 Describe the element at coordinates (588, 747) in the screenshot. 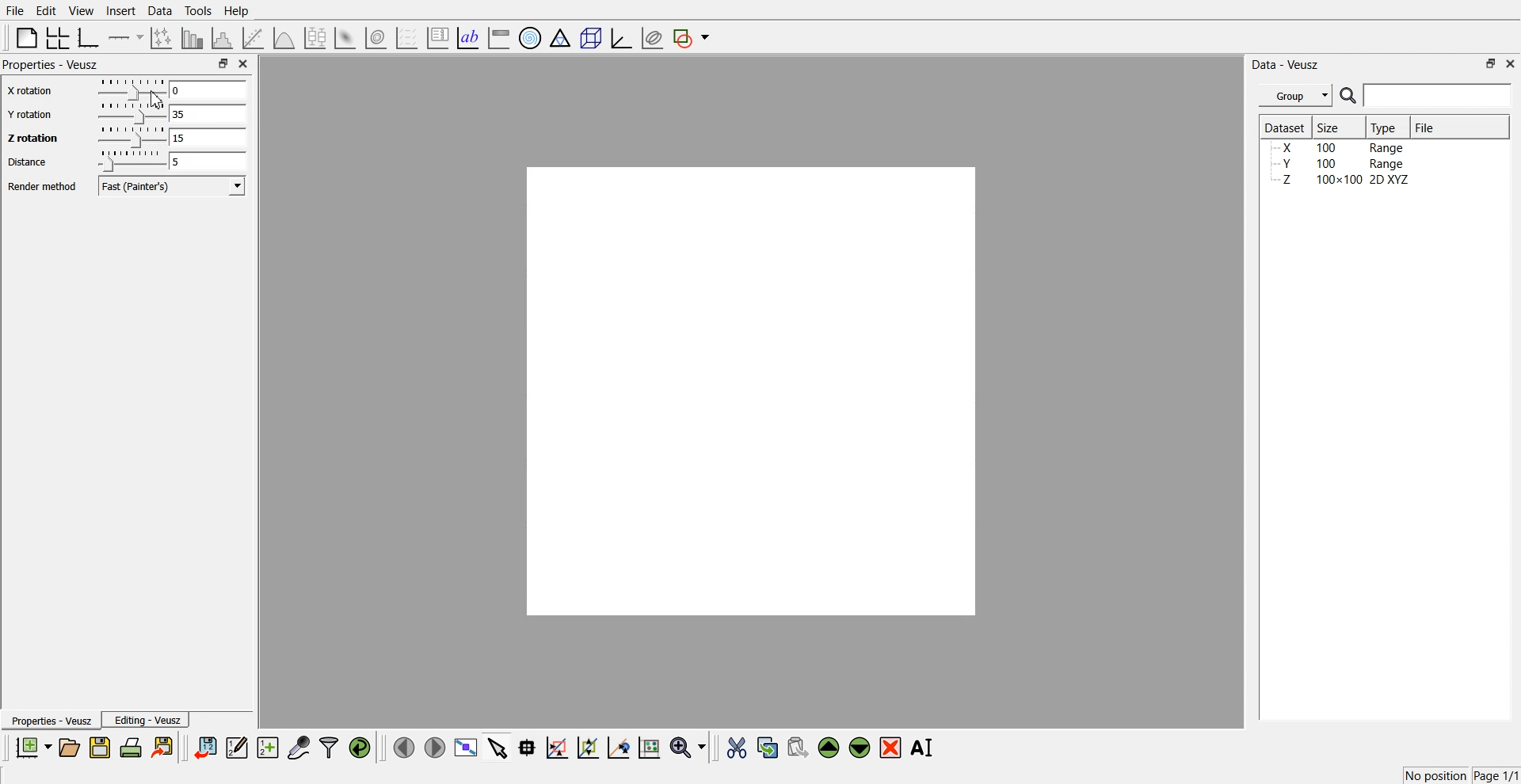

I see `Zoom out of the graph axes` at that location.